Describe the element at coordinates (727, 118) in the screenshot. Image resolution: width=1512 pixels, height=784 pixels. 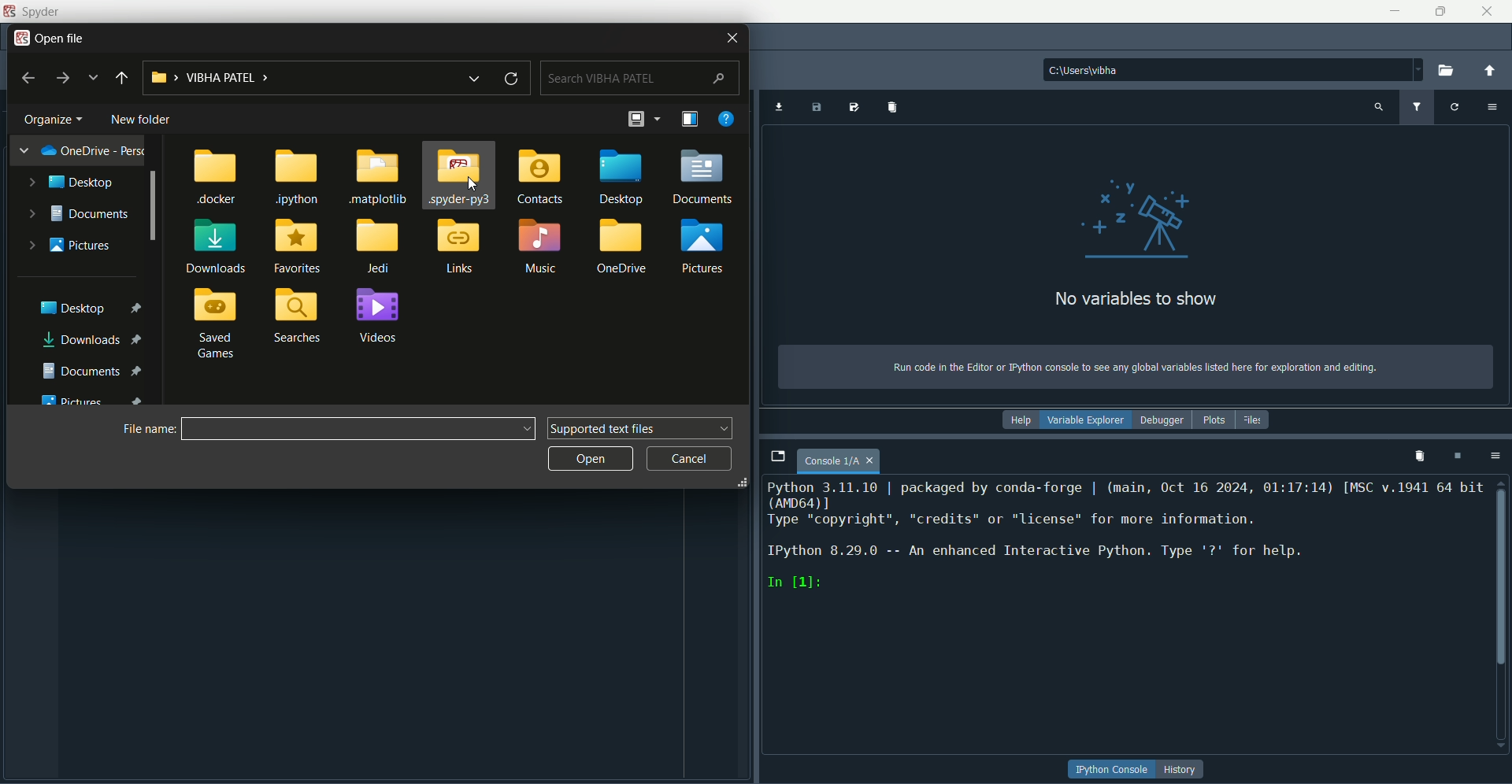
I see `get help` at that location.